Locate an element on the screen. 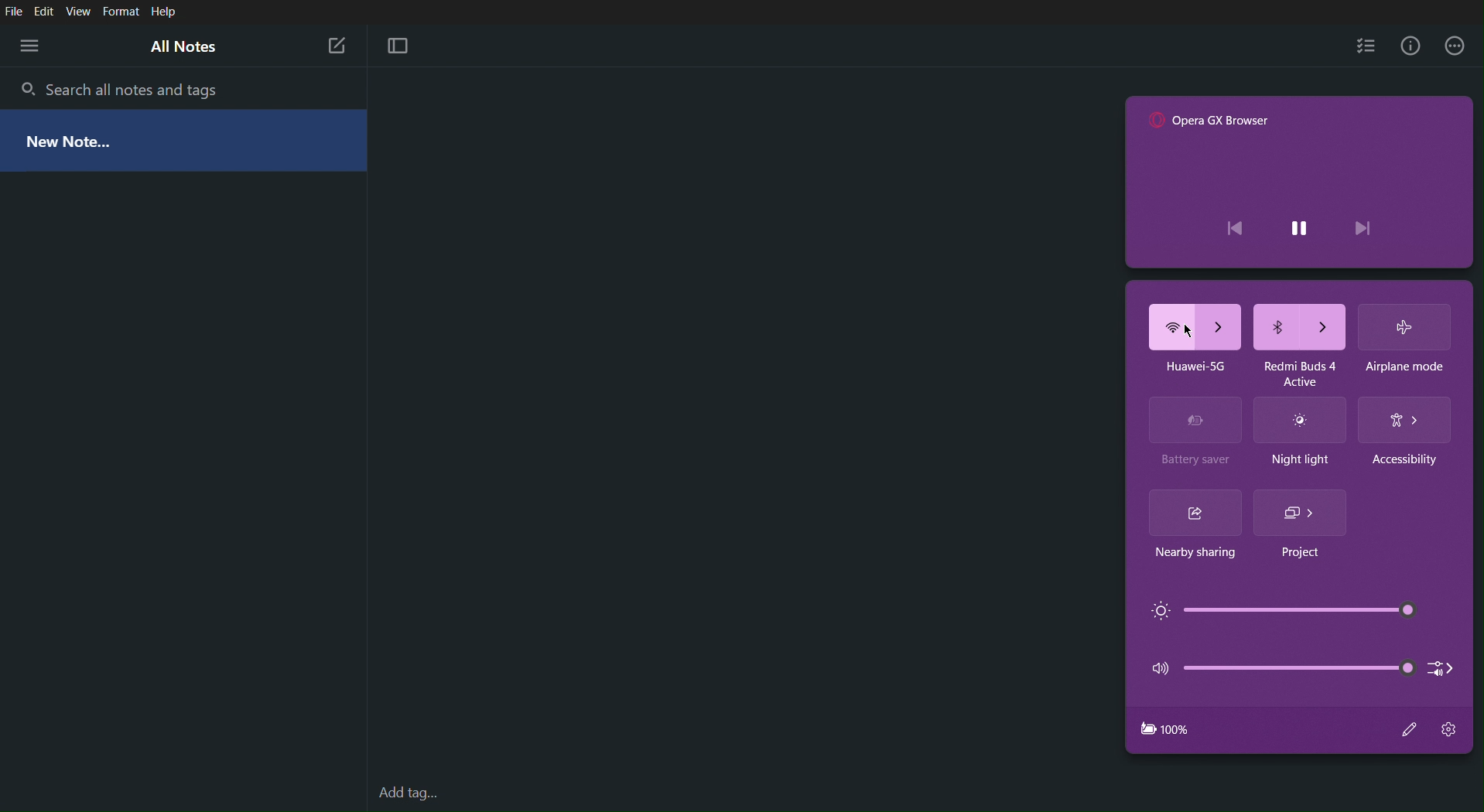 The width and height of the screenshot is (1484, 812). Checklist is located at coordinates (1365, 46).